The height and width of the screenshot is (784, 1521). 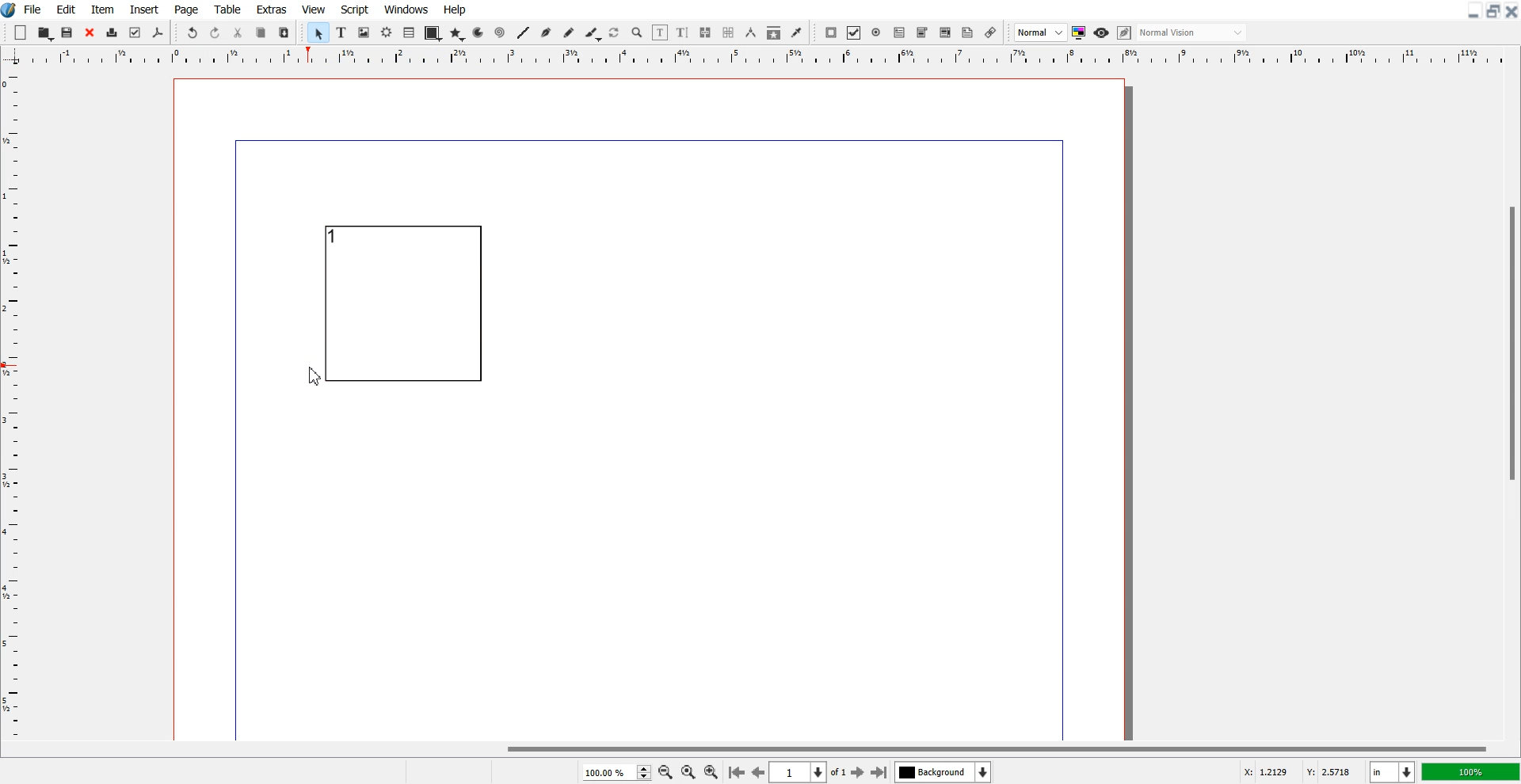 What do you see at coordinates (1474, 10) in the screenshot?
I see `Minimize` at bounding box center [1474, 10].